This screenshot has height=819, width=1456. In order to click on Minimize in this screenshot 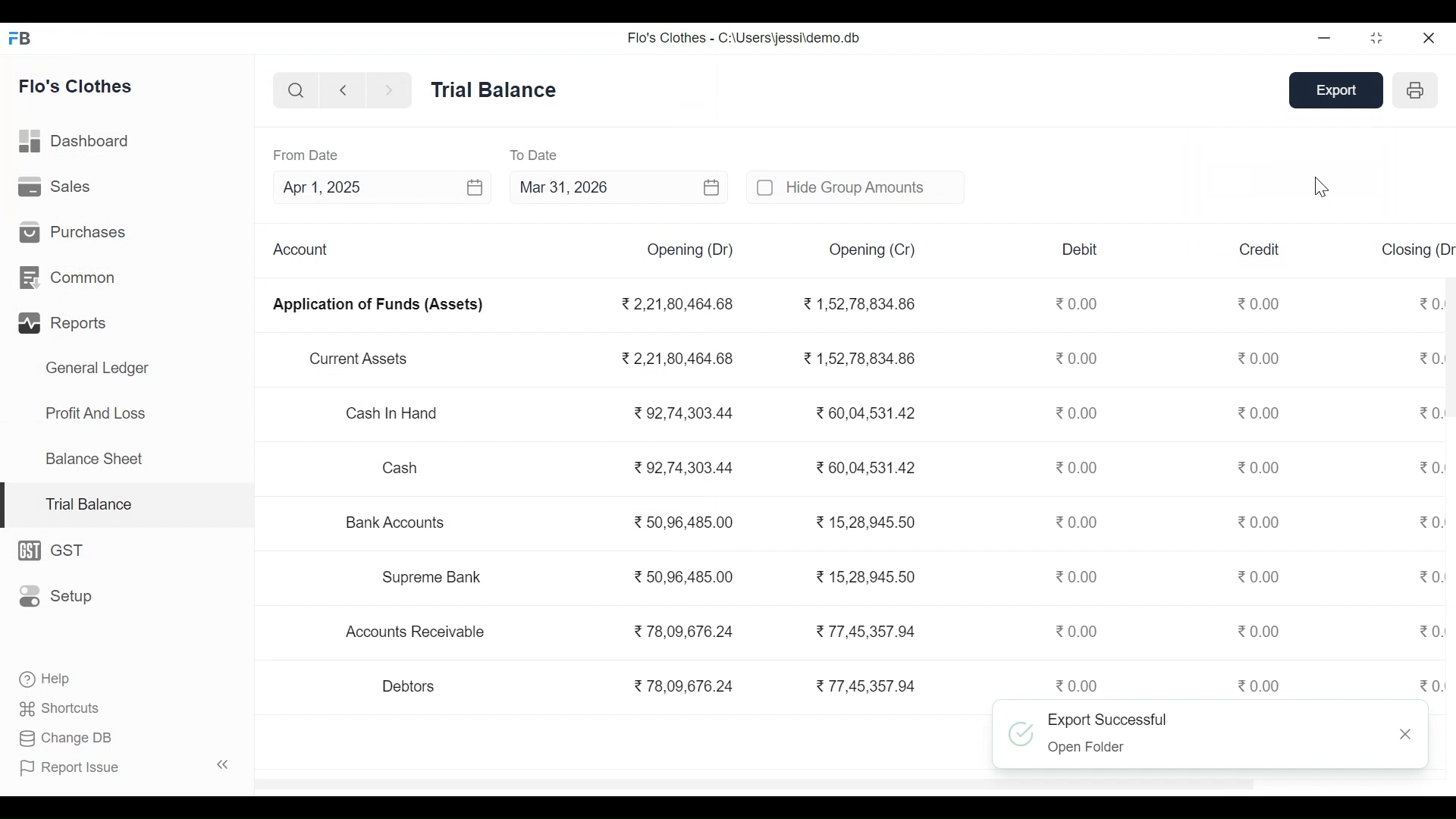, I will do `click(1326, 38)`.